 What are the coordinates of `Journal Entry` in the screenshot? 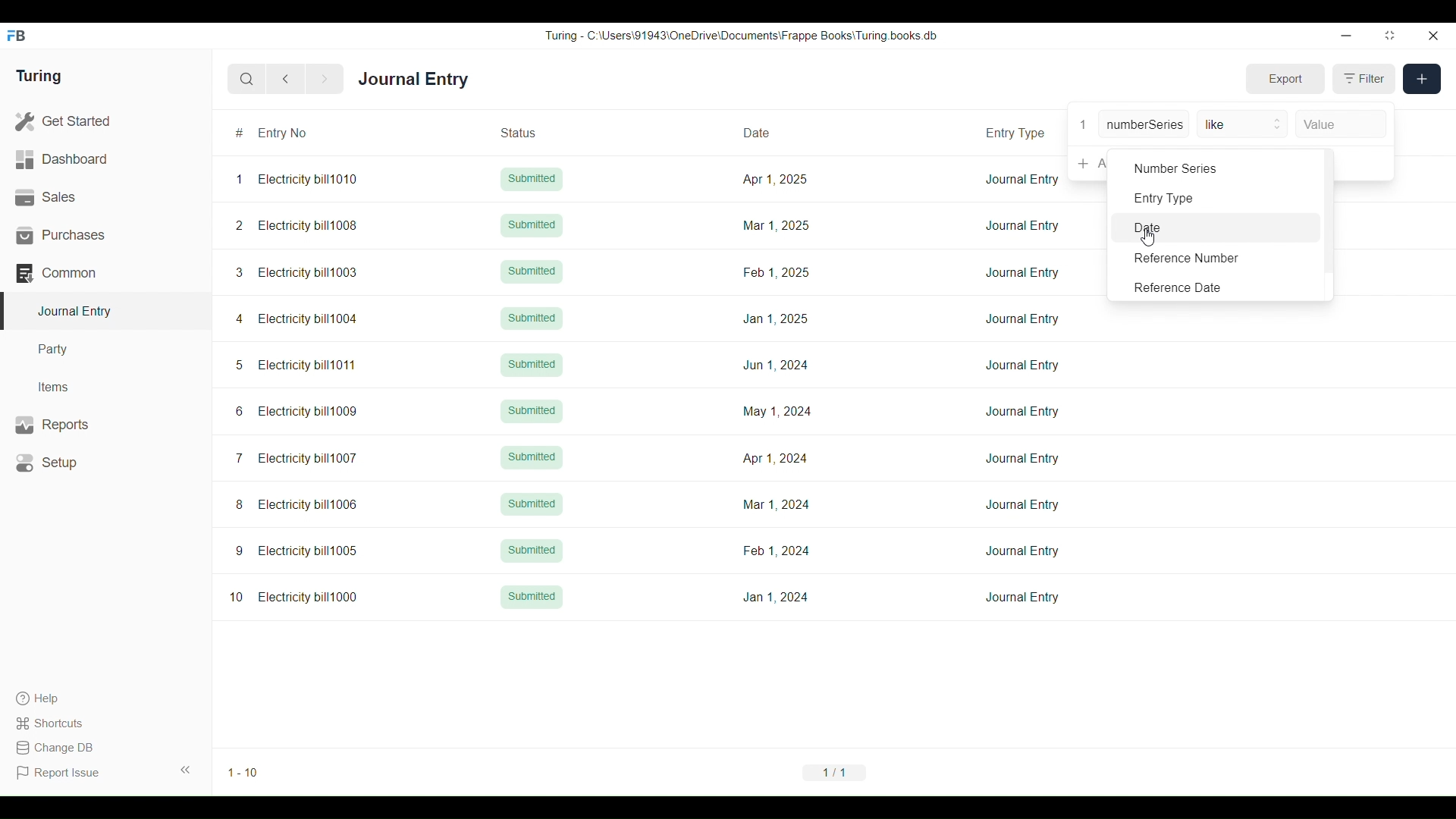 It's located at (1023, 458).